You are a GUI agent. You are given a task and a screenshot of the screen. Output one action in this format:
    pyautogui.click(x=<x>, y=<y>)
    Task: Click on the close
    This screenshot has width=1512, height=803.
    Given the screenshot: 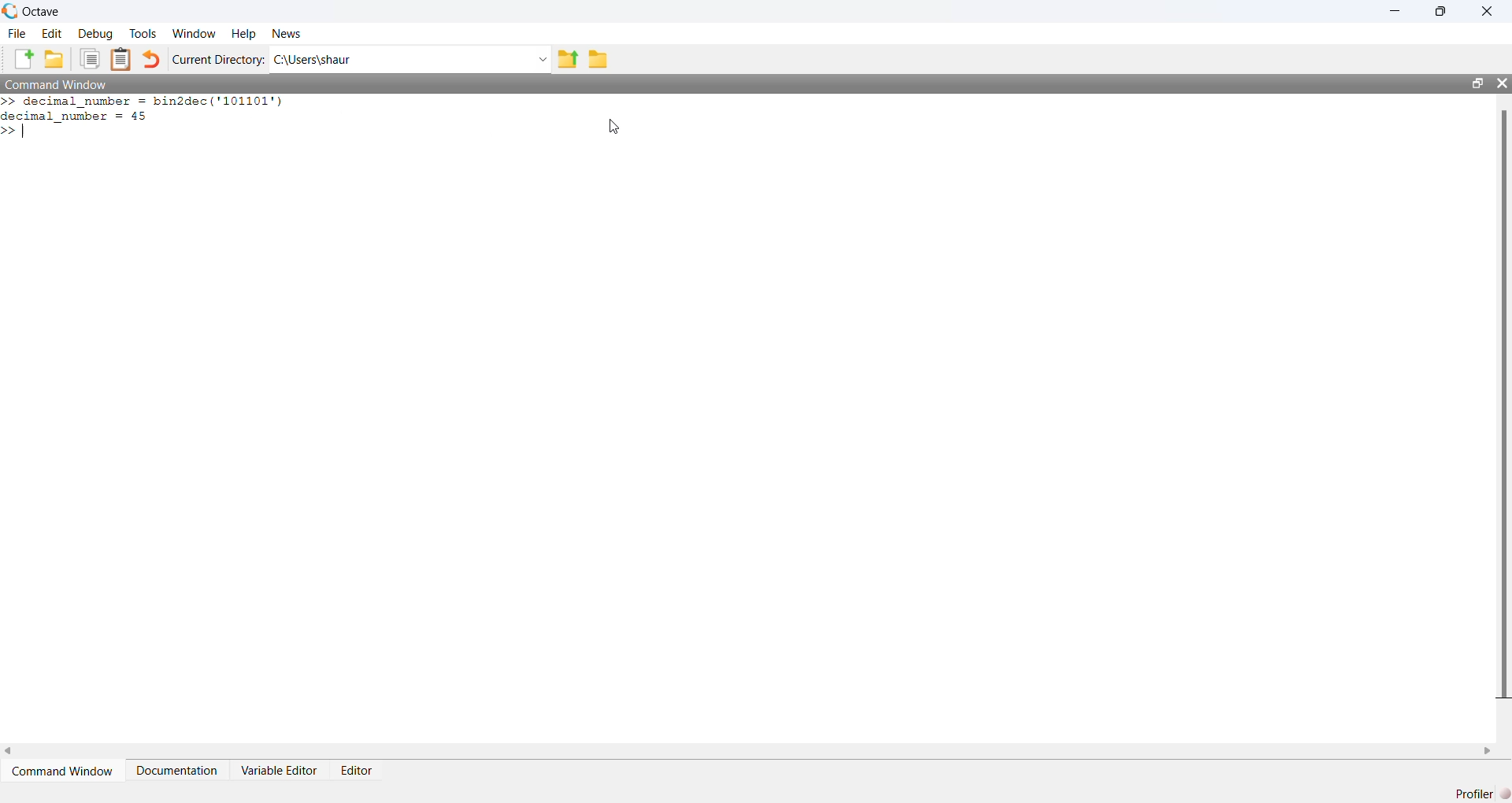 What is the action you would take?
    pyautogui.click(x=1490, y=10)
    